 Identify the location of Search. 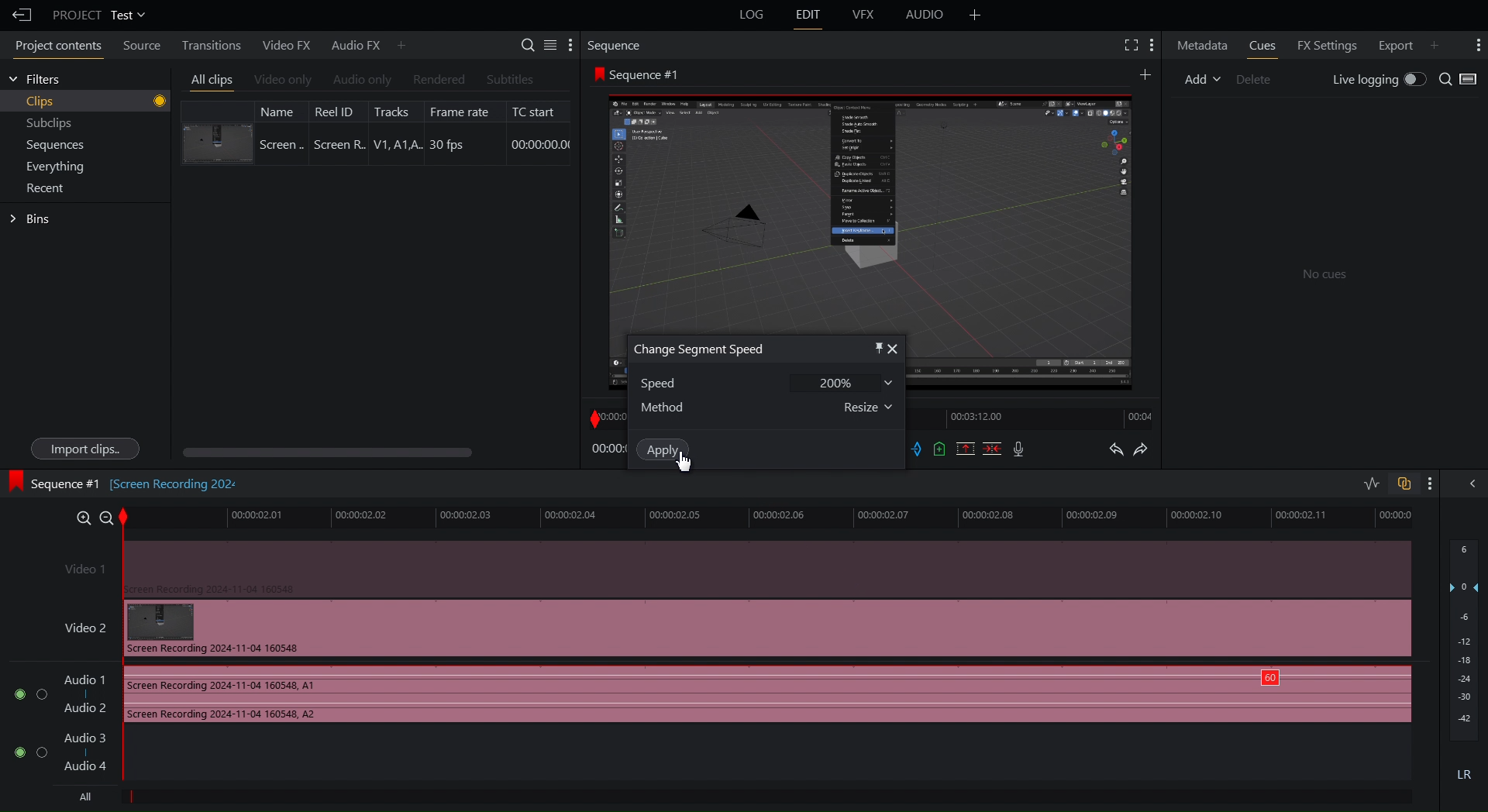
(1459, 80).